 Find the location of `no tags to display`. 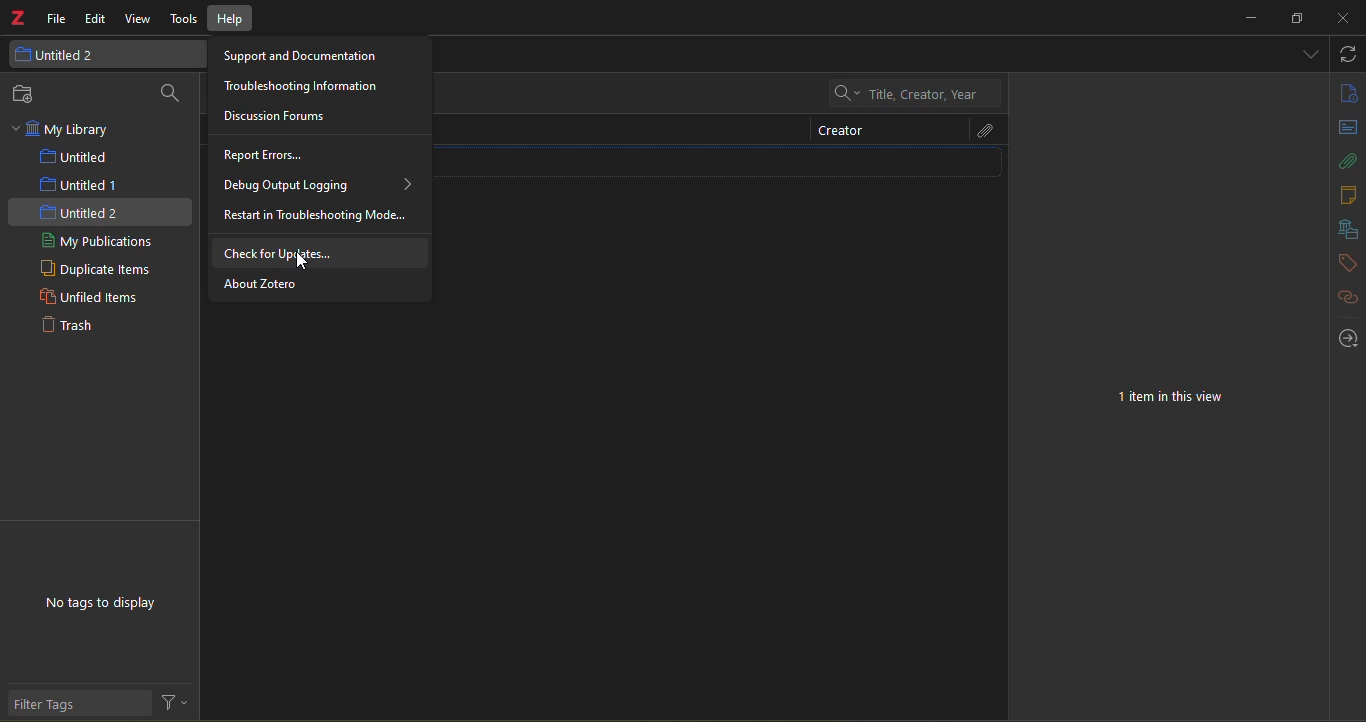

no tags to display is located at coordinates (103, 602).